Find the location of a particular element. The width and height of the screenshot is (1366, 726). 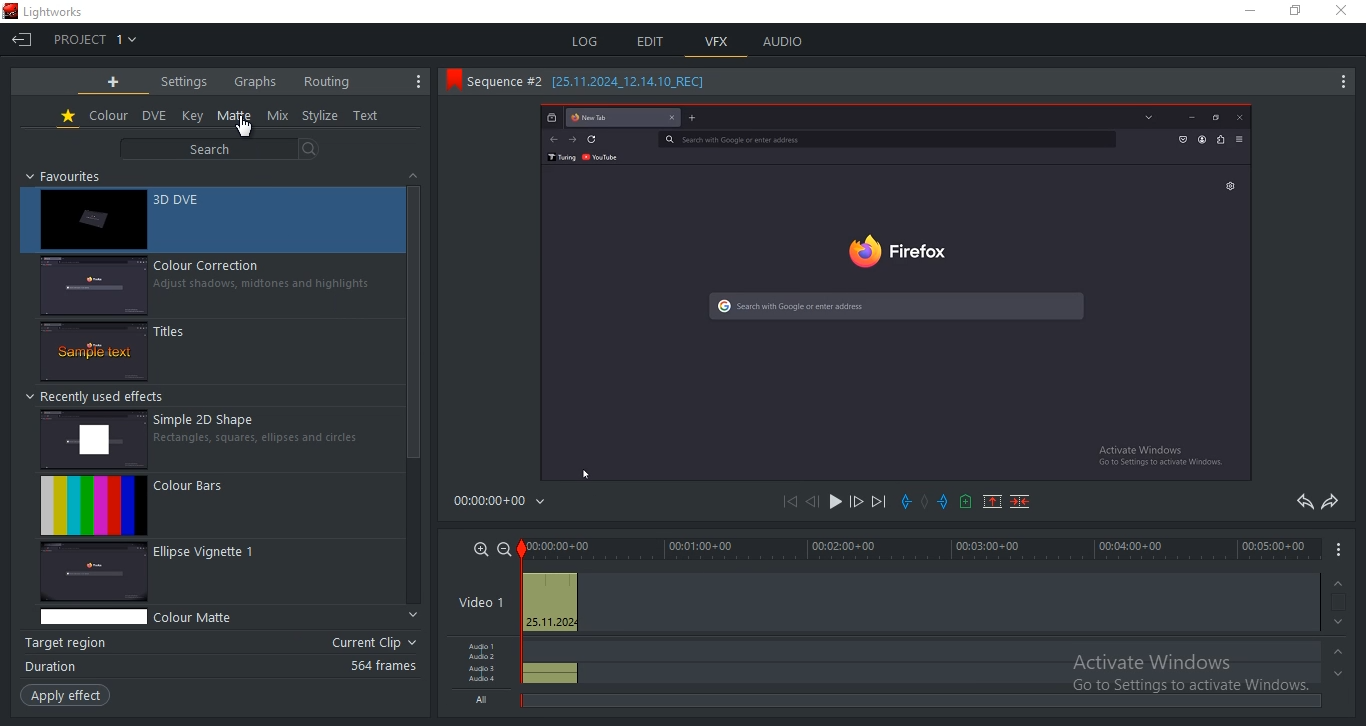

play is located at coordinates (833, 504).